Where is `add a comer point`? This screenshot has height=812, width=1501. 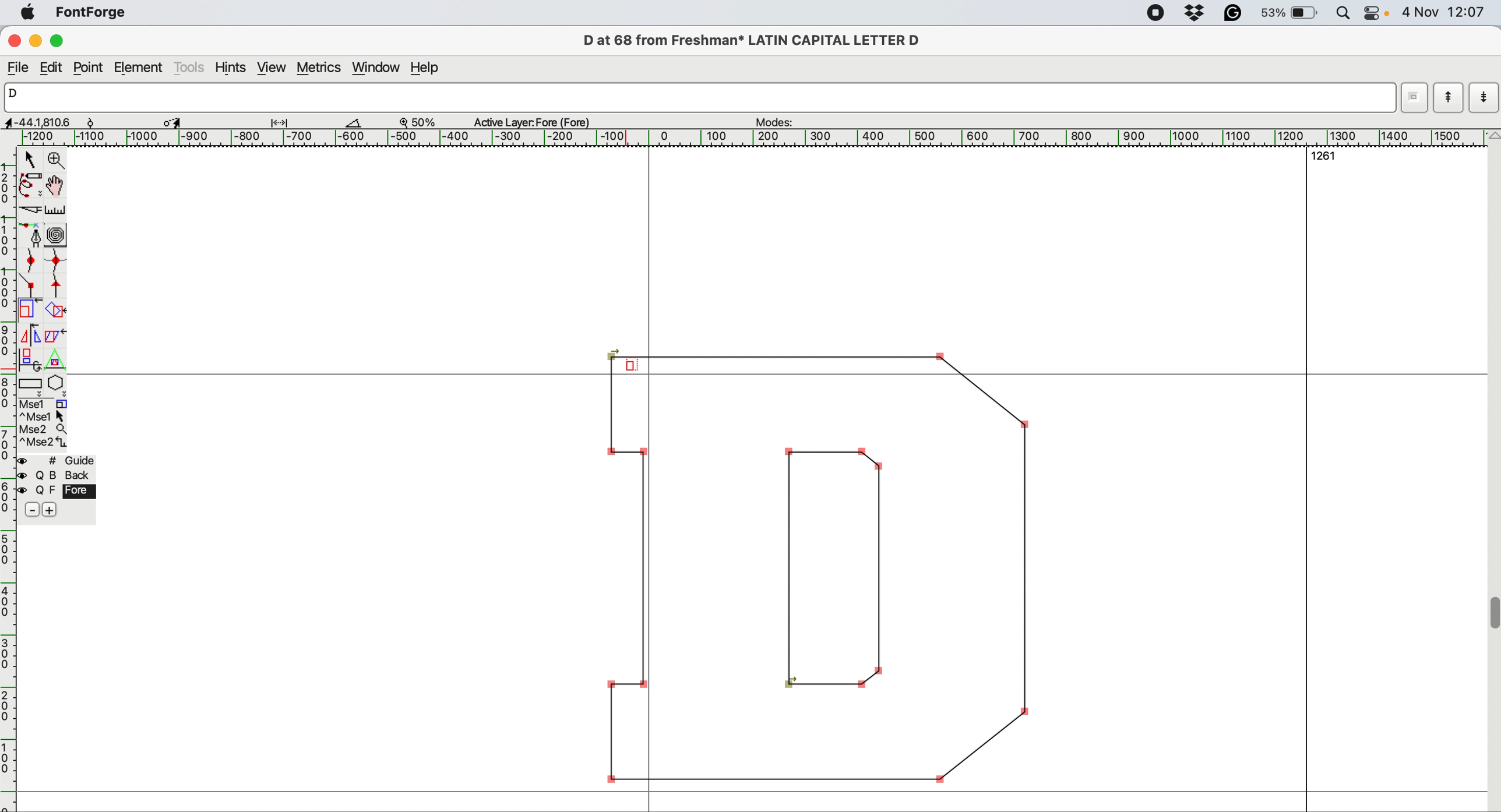
add a comer point is located at coordinates (30, 286).